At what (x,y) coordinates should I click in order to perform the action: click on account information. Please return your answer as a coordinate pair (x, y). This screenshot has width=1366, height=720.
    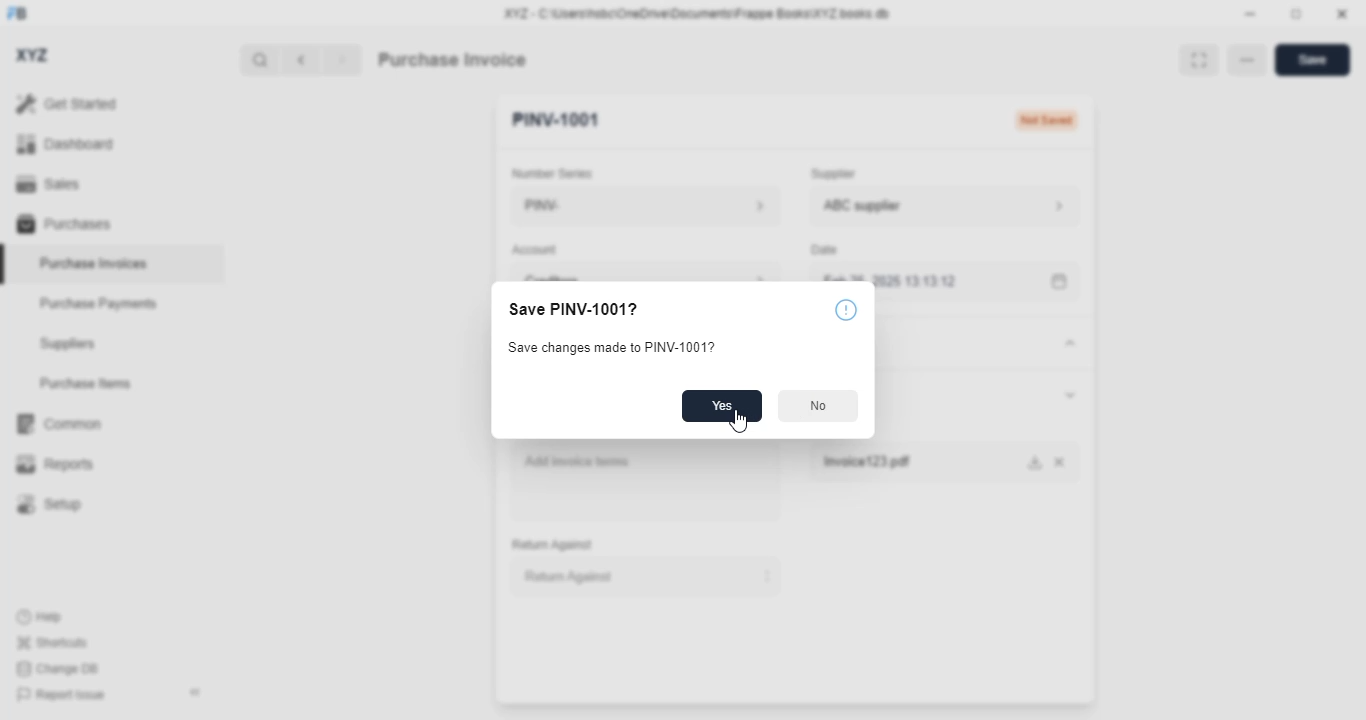
    Looking at the image, I should click on (753, 272).